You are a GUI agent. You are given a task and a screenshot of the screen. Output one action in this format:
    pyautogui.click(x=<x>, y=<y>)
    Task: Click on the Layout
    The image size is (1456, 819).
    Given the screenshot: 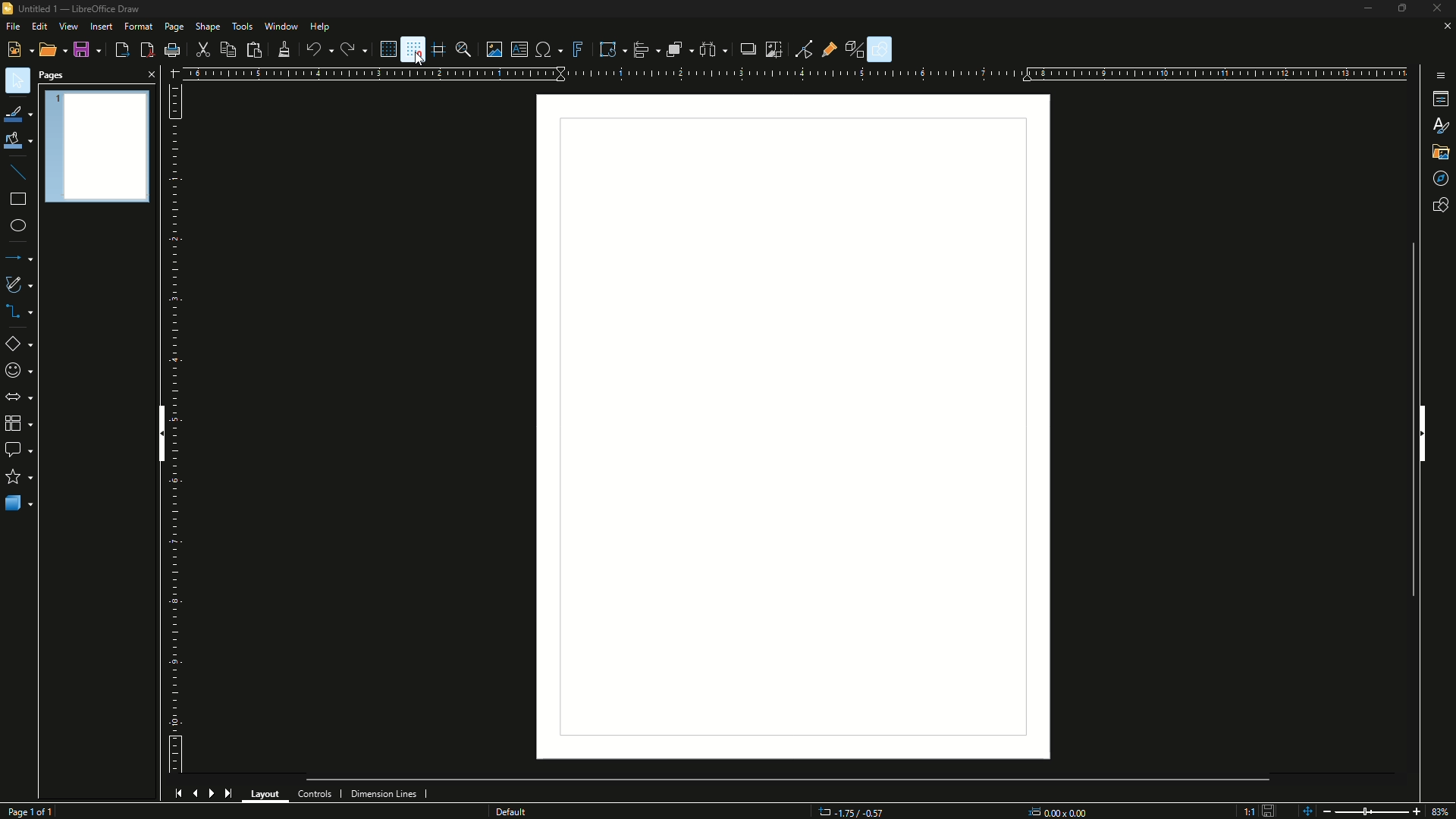 What is the action you would take?
    pyautogui.click(x=271, y=792)
    